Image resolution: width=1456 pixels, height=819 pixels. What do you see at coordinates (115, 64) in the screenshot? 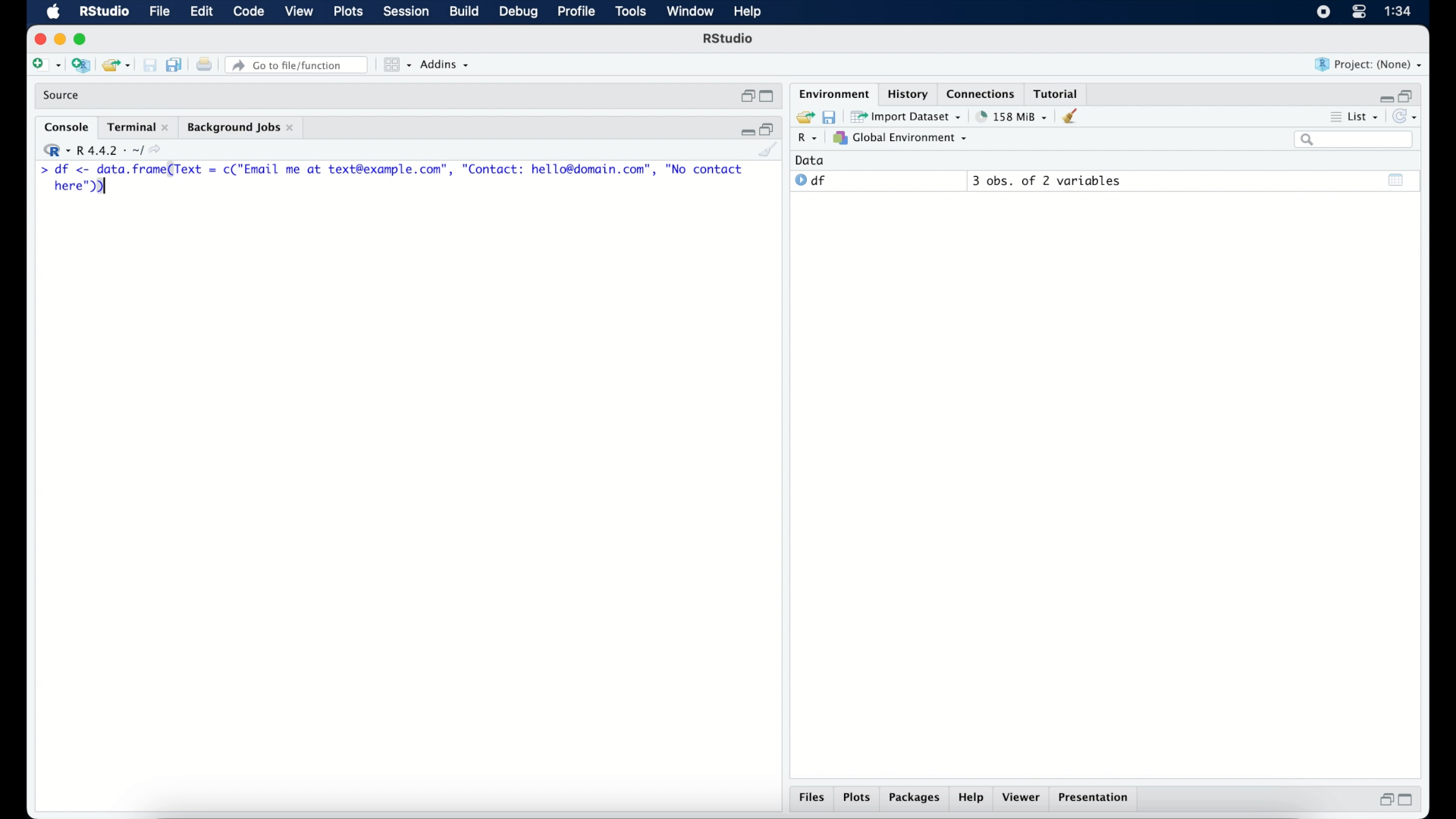
I see `open existing project` at bounding box center [115, 64].